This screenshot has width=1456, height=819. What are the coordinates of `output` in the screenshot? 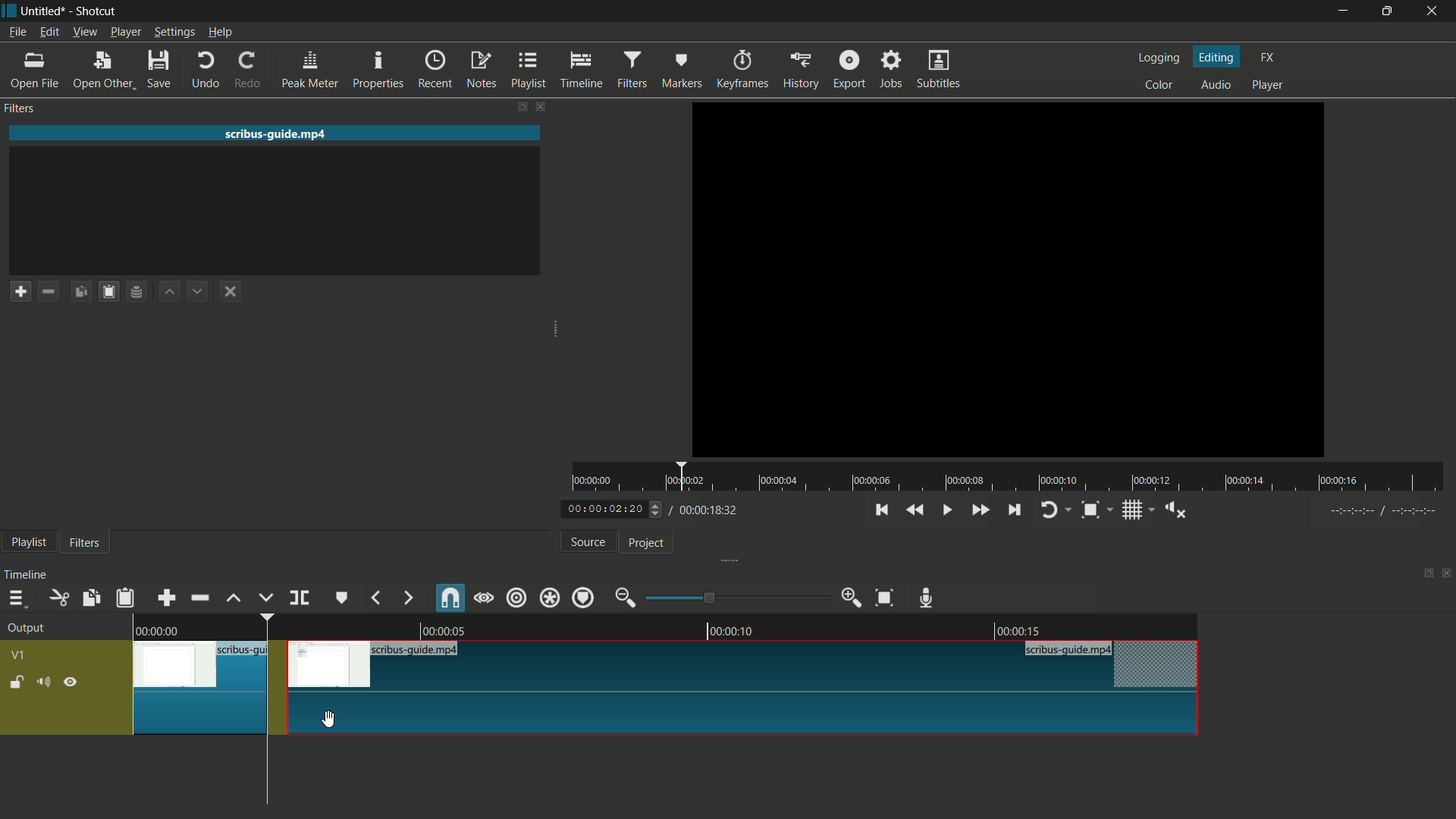 It's located at (26, 629).